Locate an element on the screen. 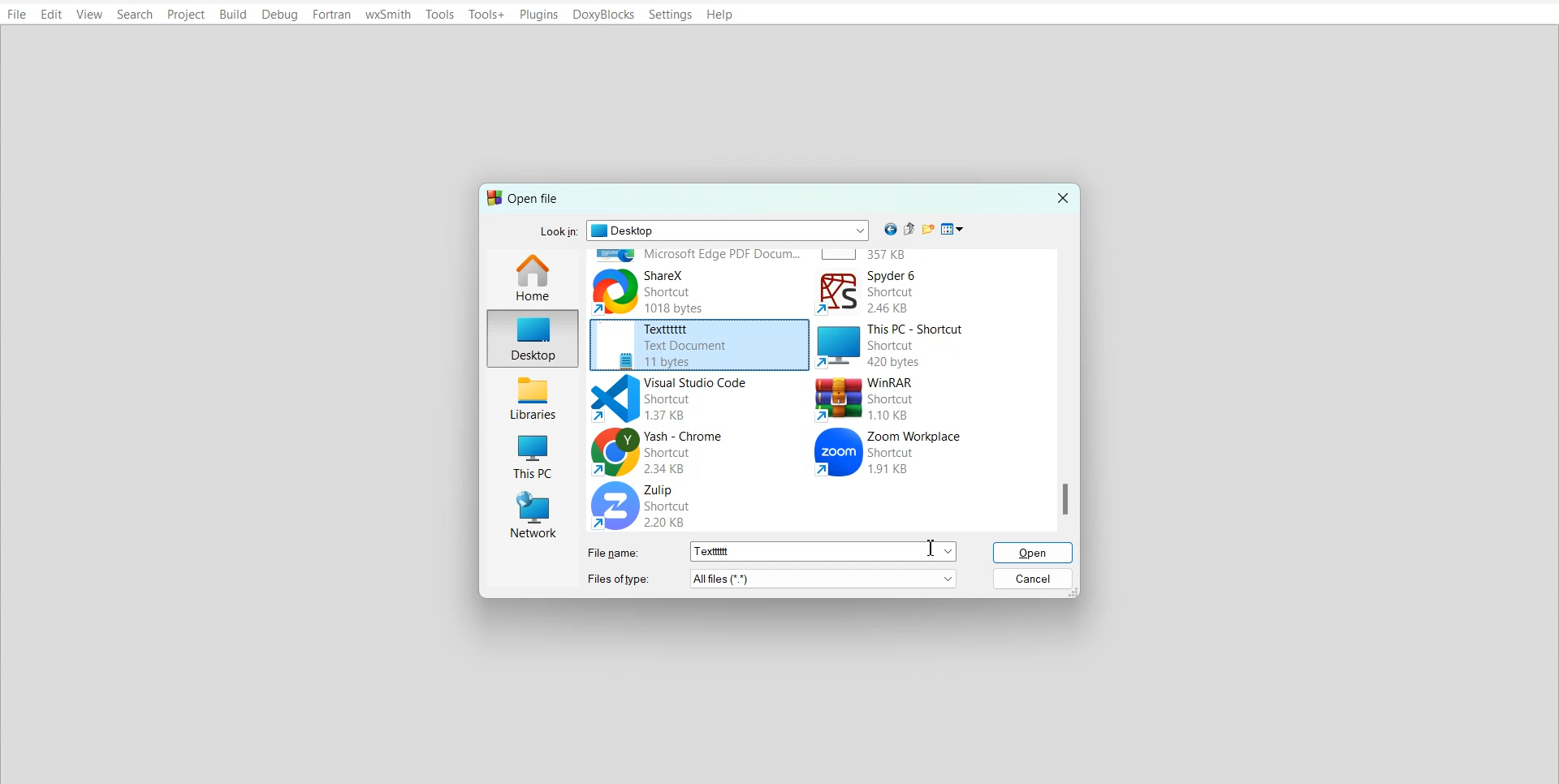 Image resolution: width=1559 pixels, height=784 pixels. Plugins is located at coordinates (540, 15).